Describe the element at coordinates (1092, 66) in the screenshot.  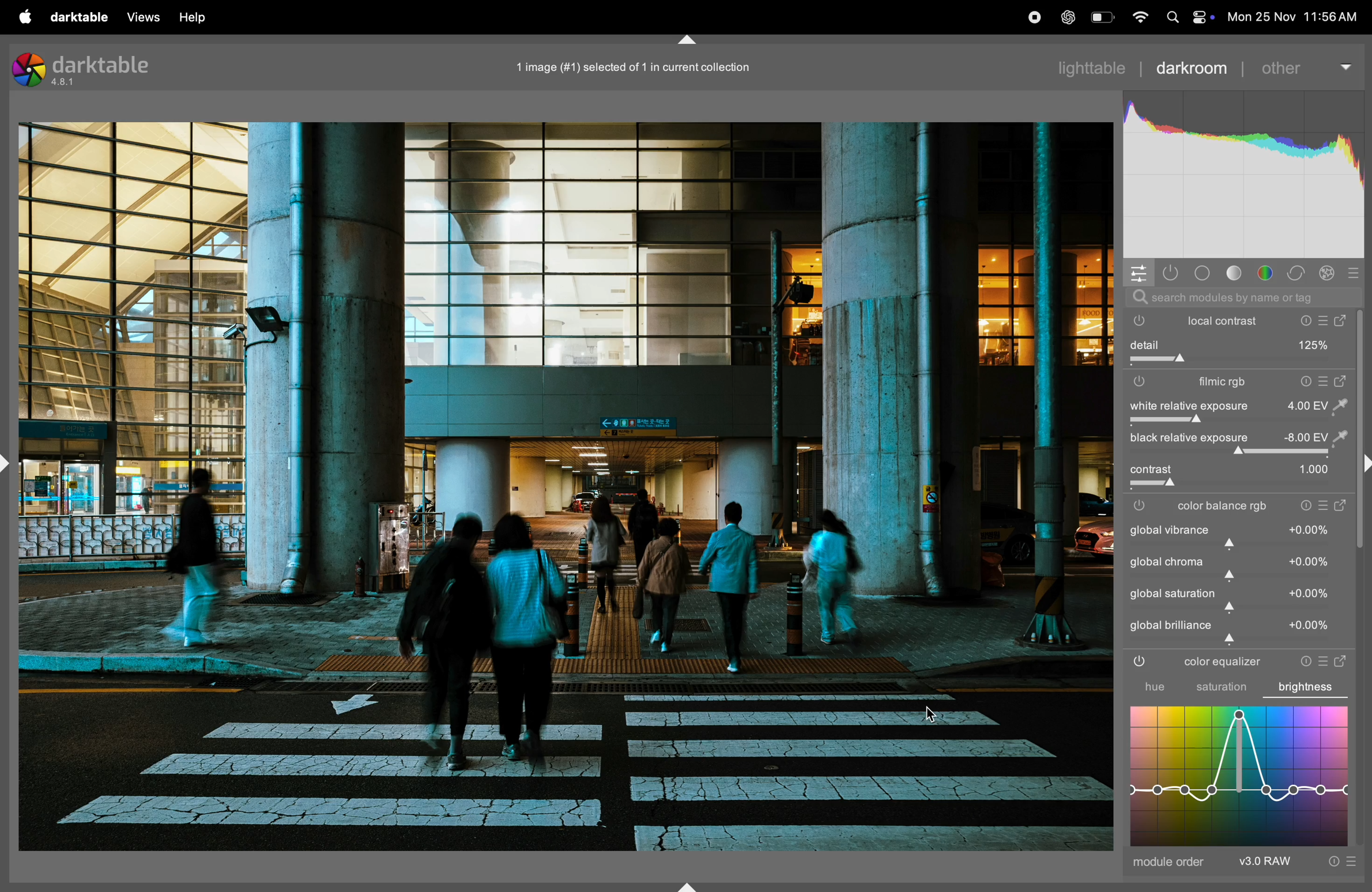
I see `light table` at that location.